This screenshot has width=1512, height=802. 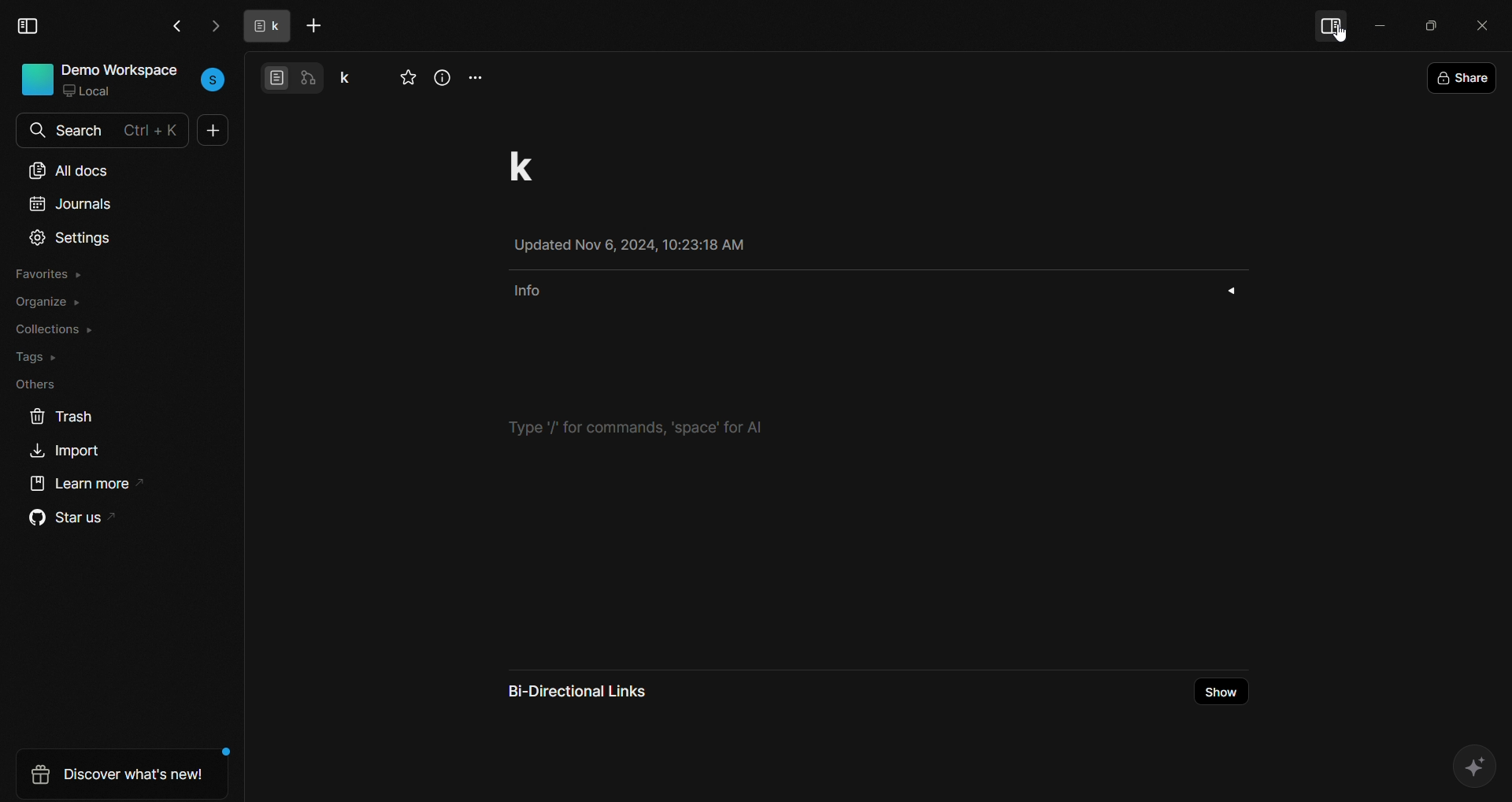 I want to click on favorite, so click(x=409, y=79).